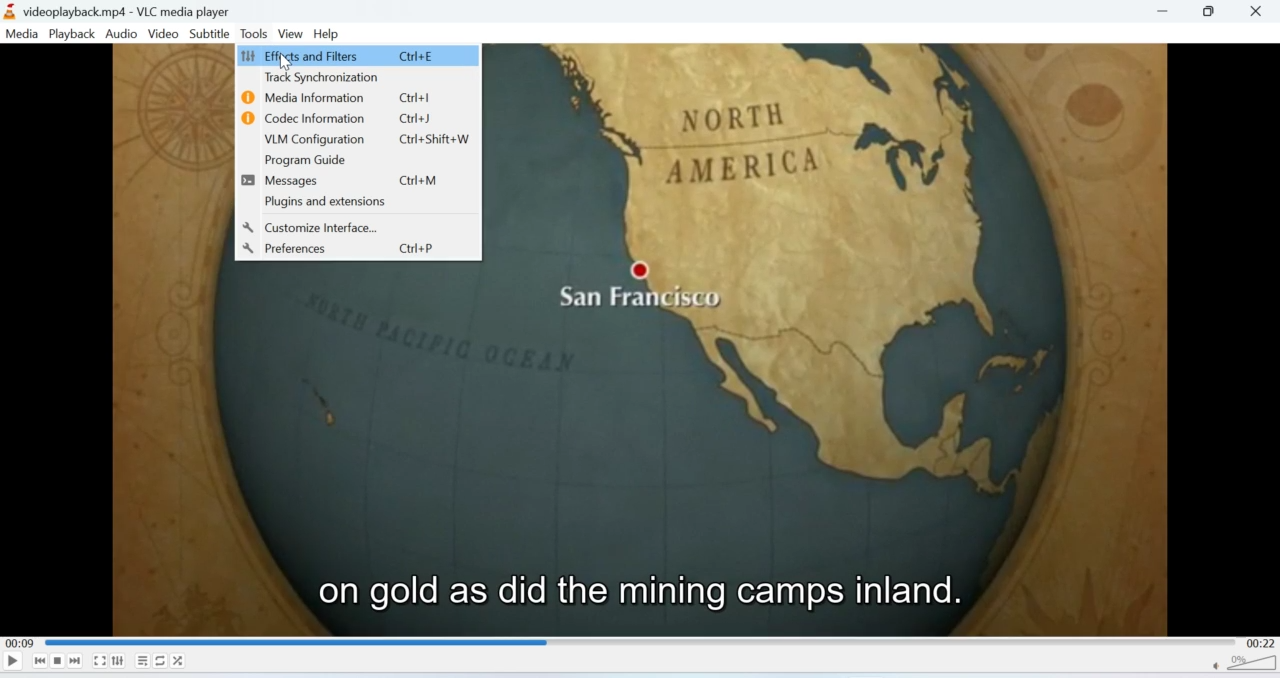  Describe the element at coordinates (291, 34) in the screenshot. I see `View` at that location.